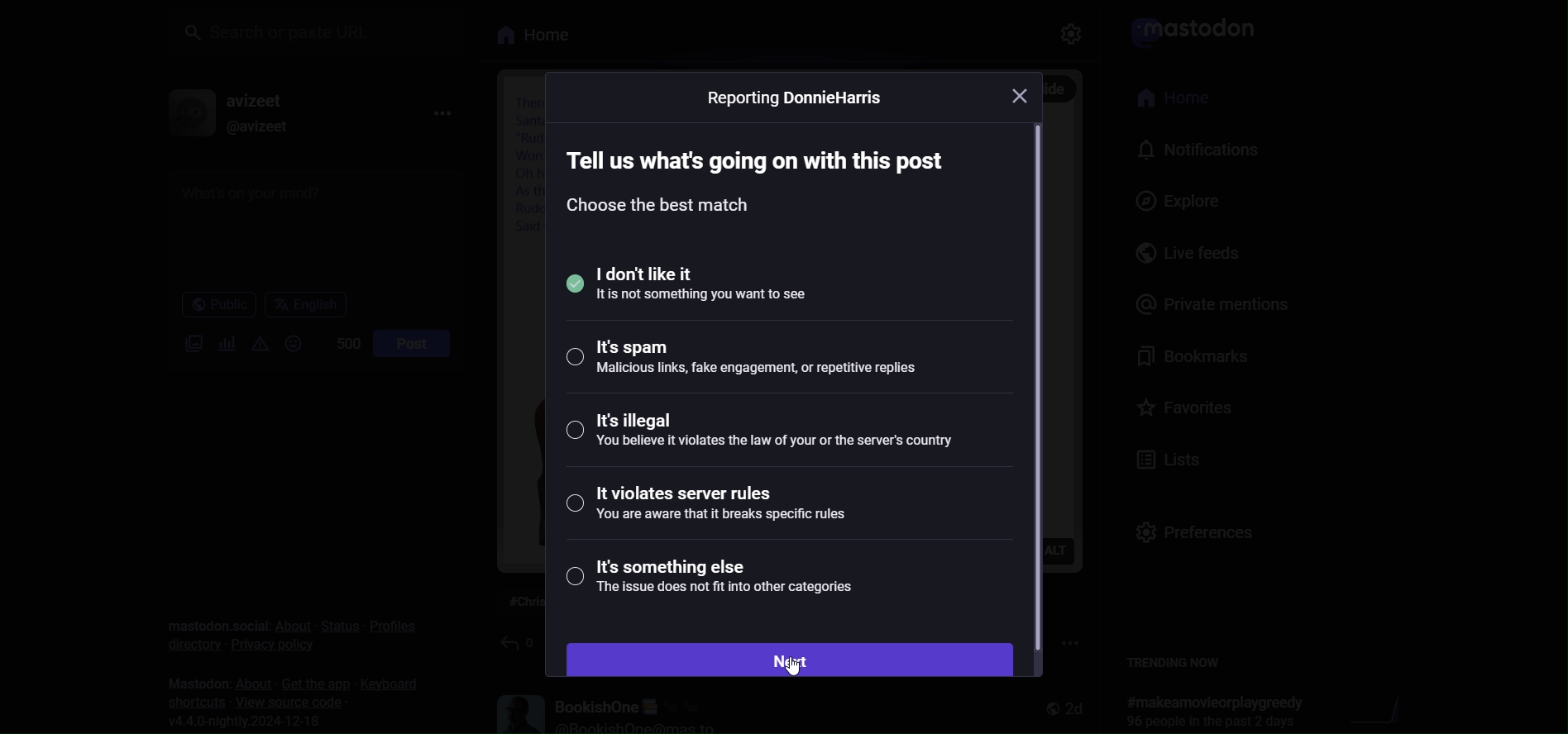 This screenshot has width=1568, height=734. Describe the element at coordinates (304, 304) in the screenshot. I see `english` at that location.